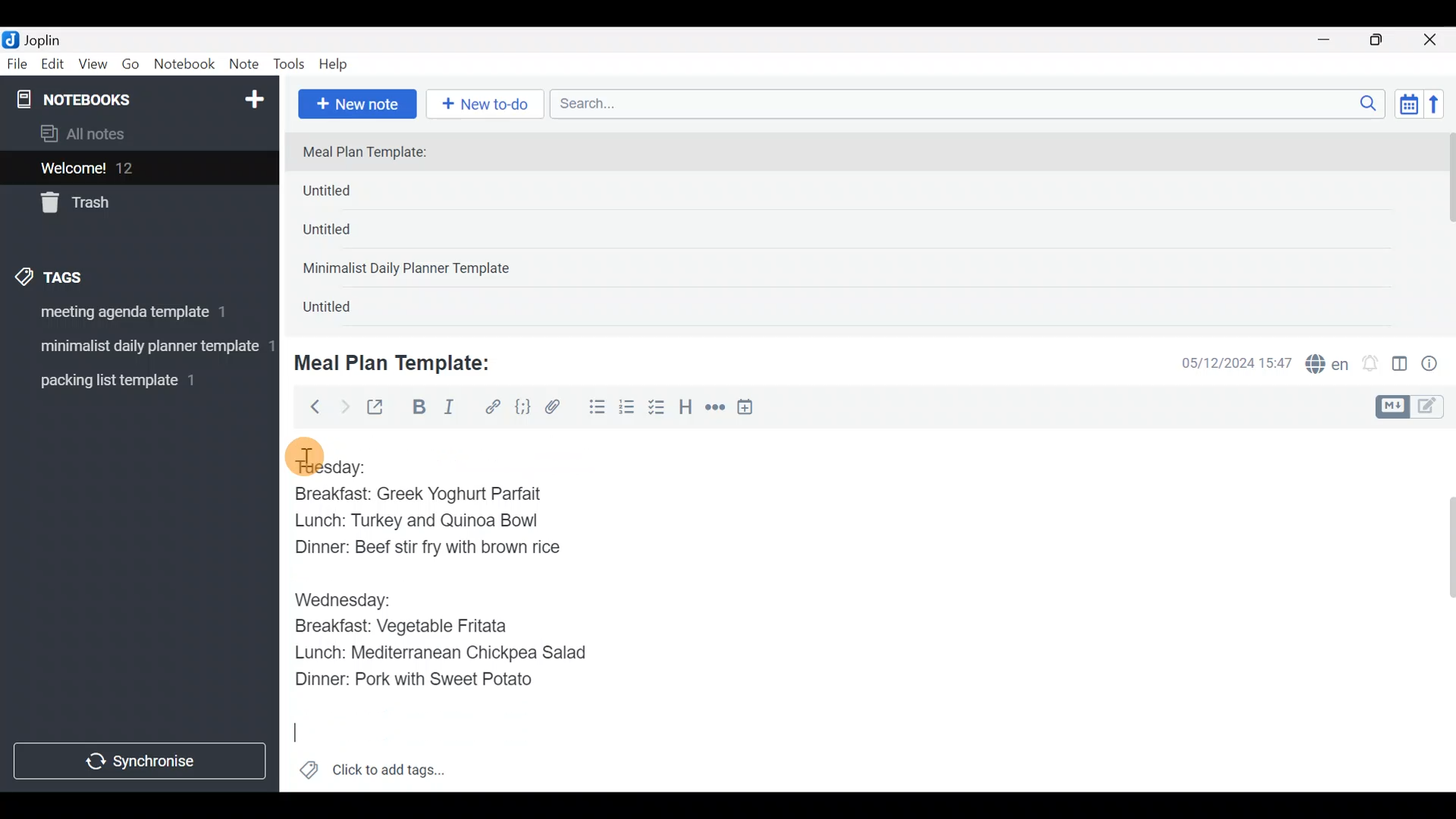  Describe the element at coordinates (1401, 366) in the screenshot. I see `Toggle editor layout` at that location.